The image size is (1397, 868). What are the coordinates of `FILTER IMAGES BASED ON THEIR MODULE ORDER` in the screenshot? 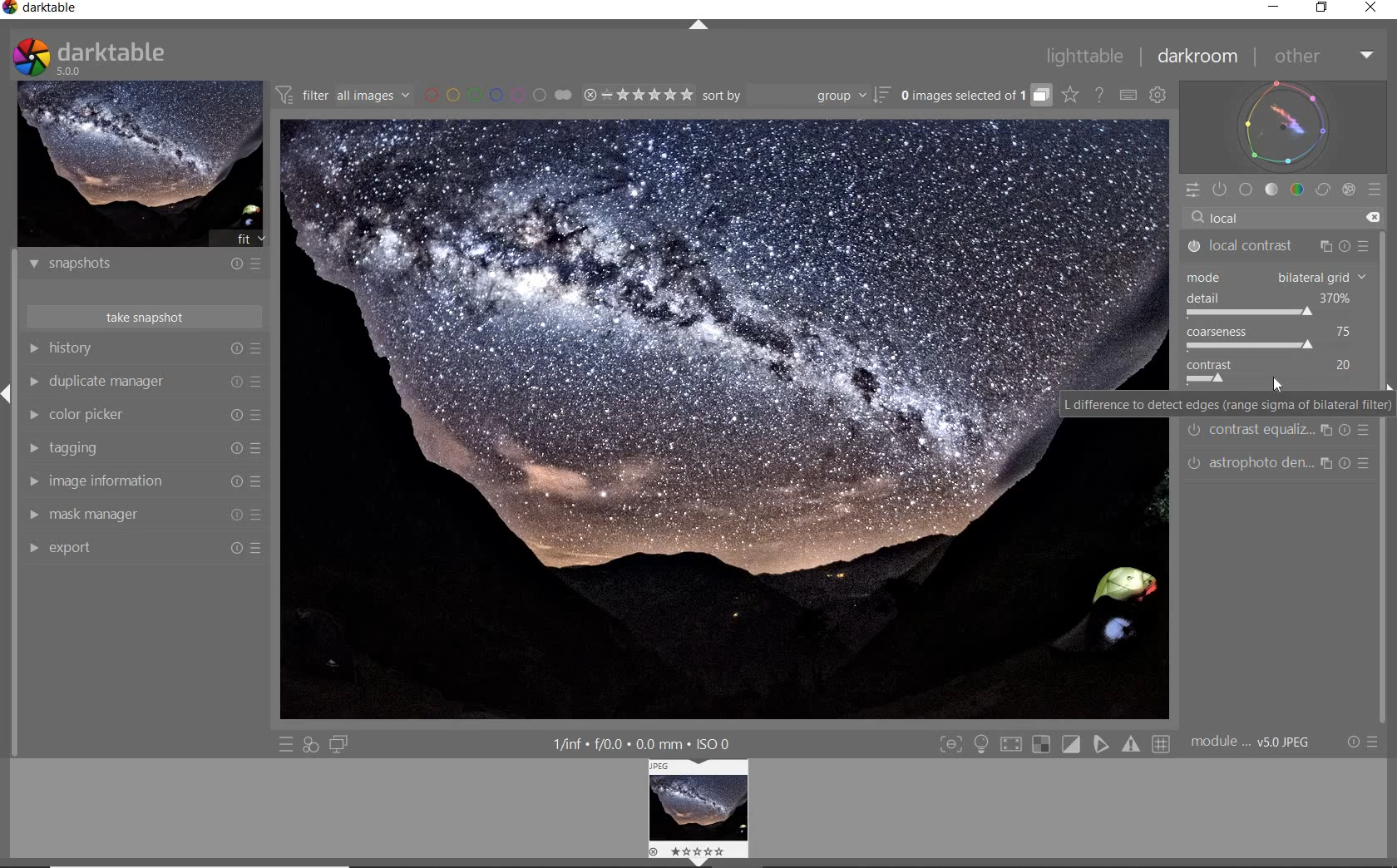 It's located at (343, 95).